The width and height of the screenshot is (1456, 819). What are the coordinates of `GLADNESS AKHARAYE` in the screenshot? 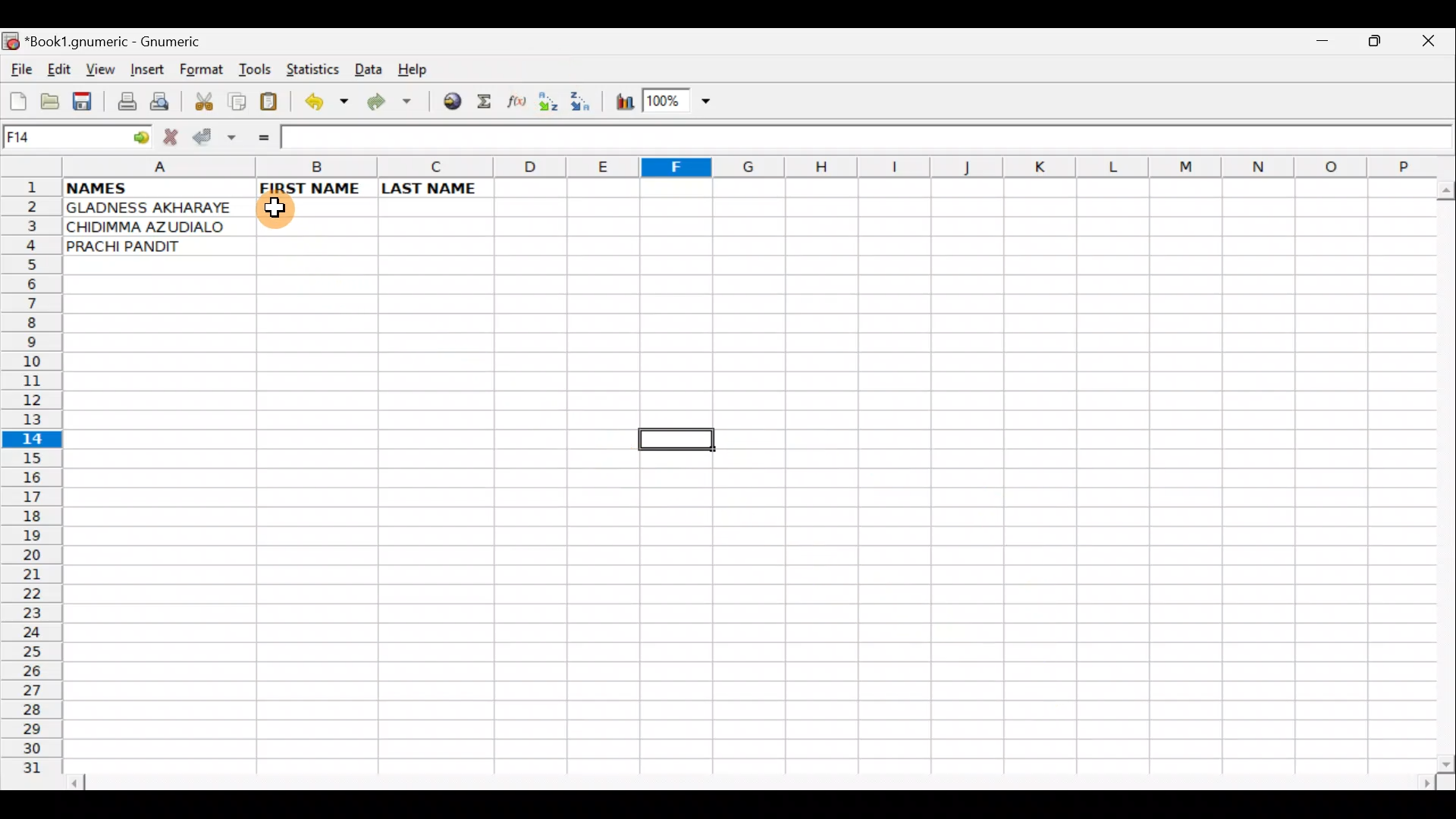 It's located at (156, 207).